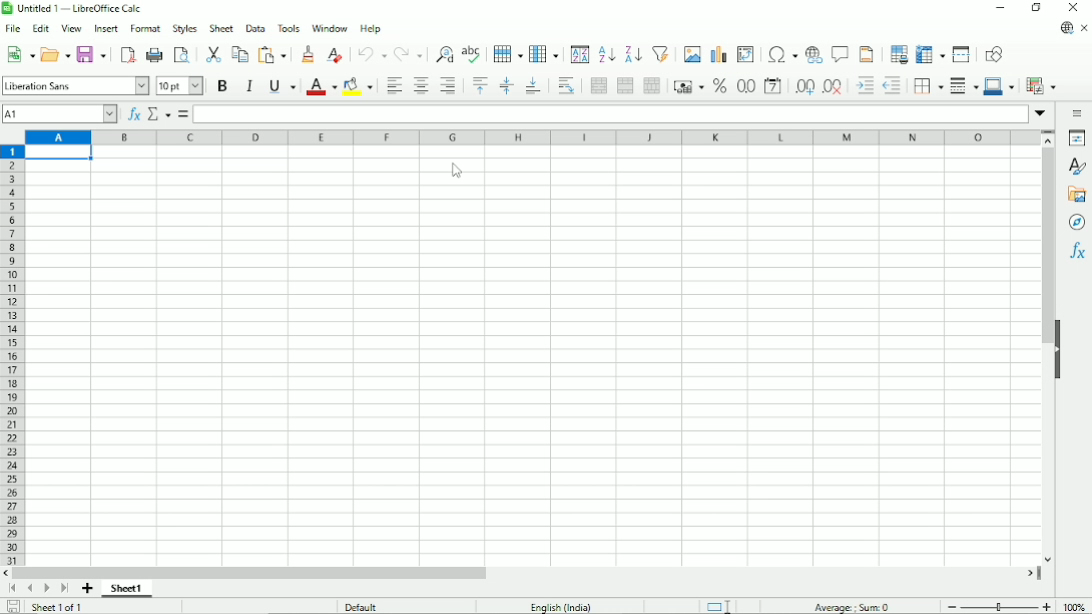  What do you see at coordinates (781, 54) in the screenshot?
I see `Insert special characters` at bounding box center [781, 54].